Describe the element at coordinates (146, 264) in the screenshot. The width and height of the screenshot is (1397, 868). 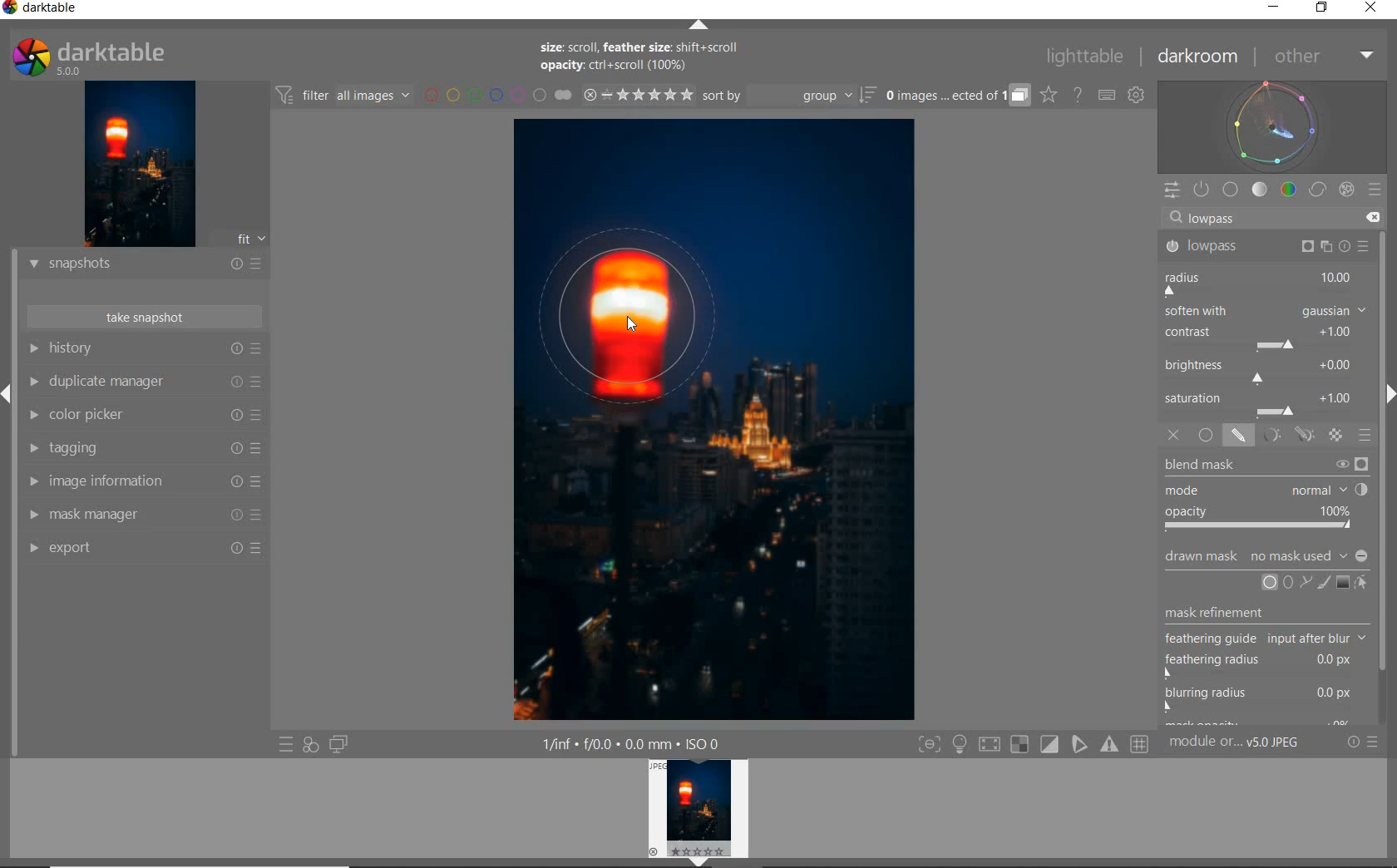
I see `SNAPSHOTS` at that location.